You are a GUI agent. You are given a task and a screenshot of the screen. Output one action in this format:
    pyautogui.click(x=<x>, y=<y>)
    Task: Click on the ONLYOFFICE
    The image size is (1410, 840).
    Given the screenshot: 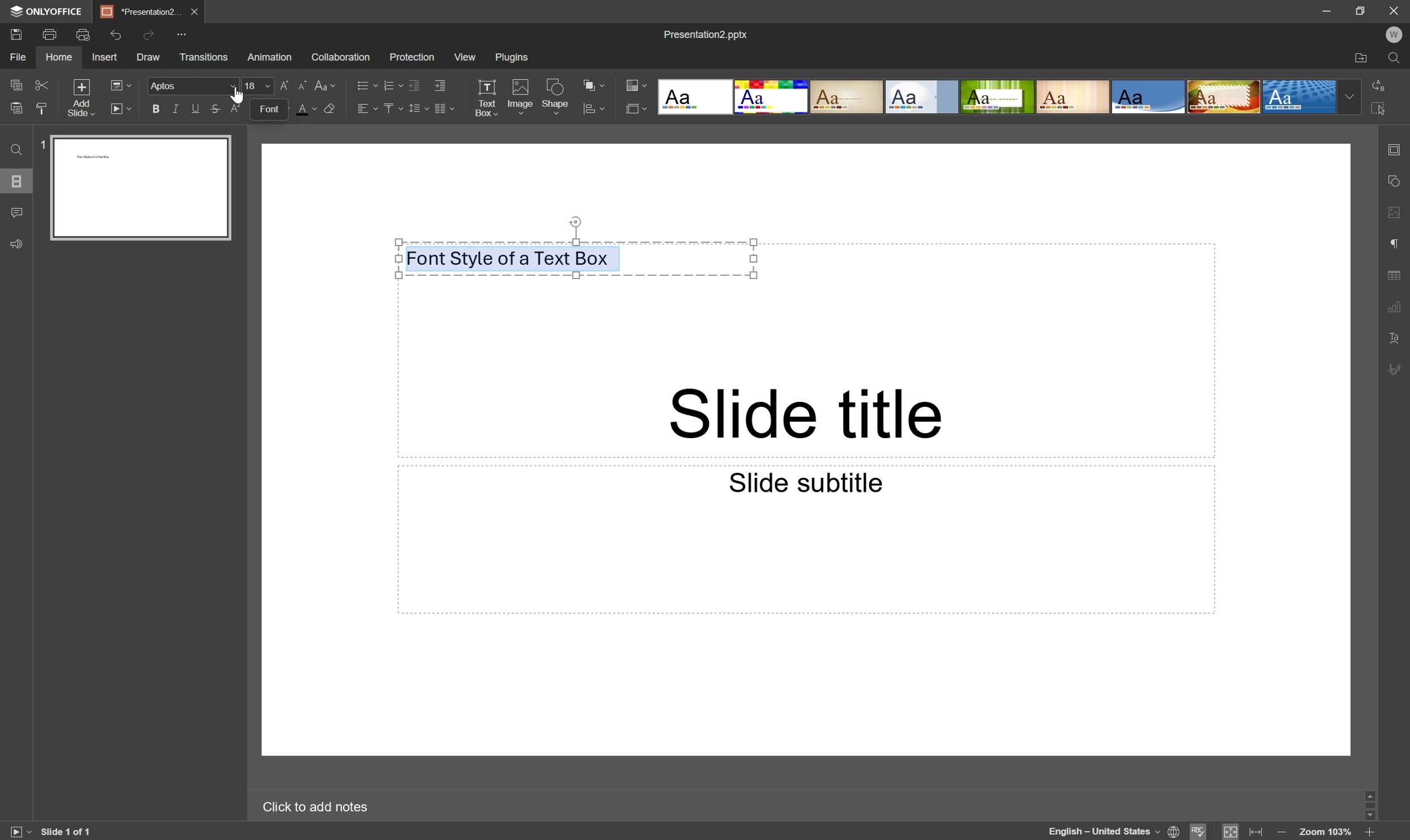 What is the action you would take?
    pyautogui.click(x=45, y=11)
    